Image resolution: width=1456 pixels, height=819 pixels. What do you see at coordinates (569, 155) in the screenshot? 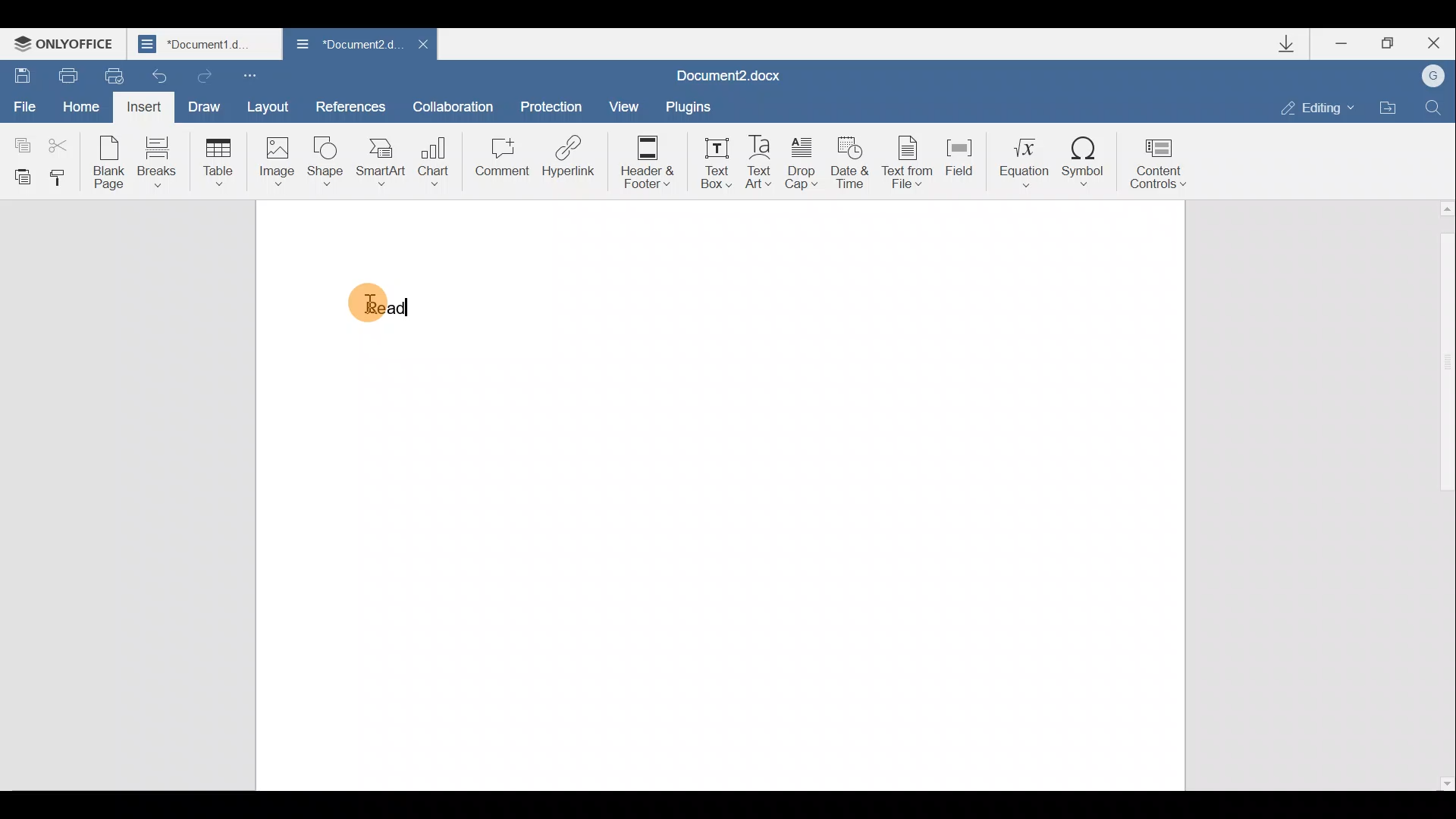
I see `Hyperlink` at bounding box center [569, 155].